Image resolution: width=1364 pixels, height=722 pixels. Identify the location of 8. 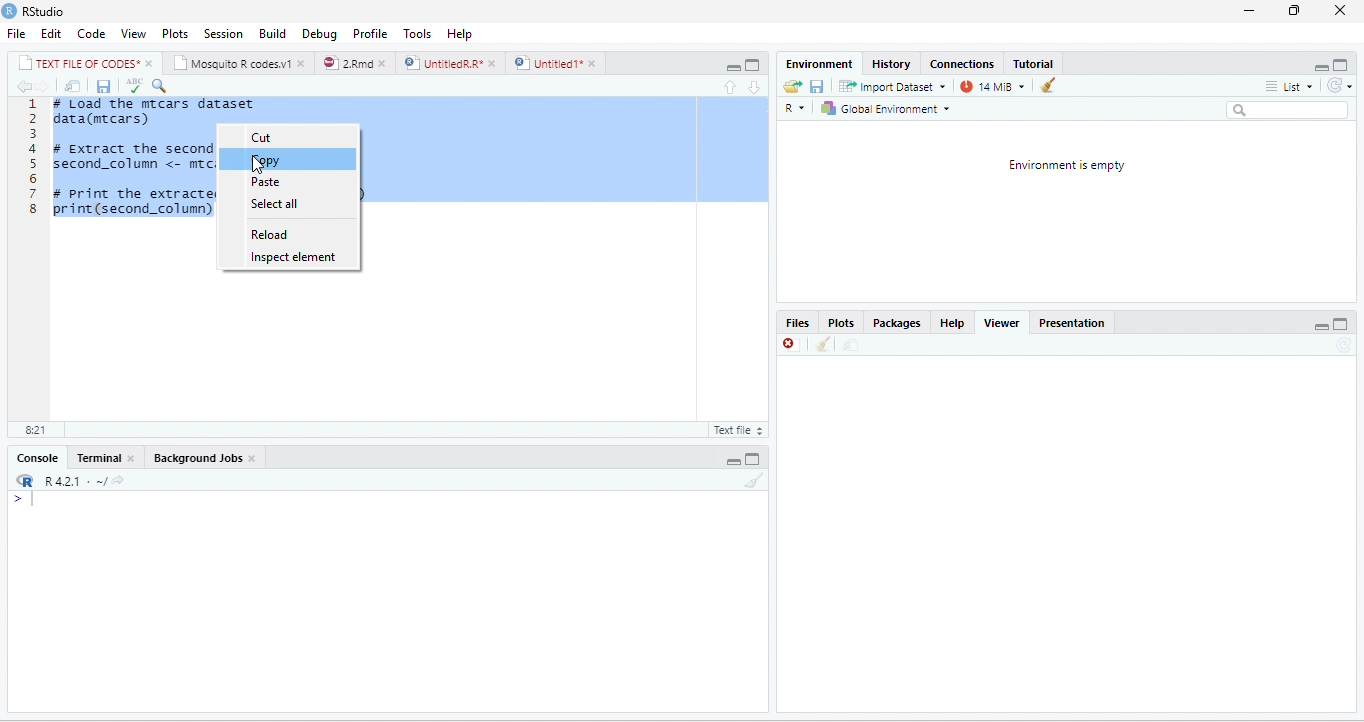
(32, 209).